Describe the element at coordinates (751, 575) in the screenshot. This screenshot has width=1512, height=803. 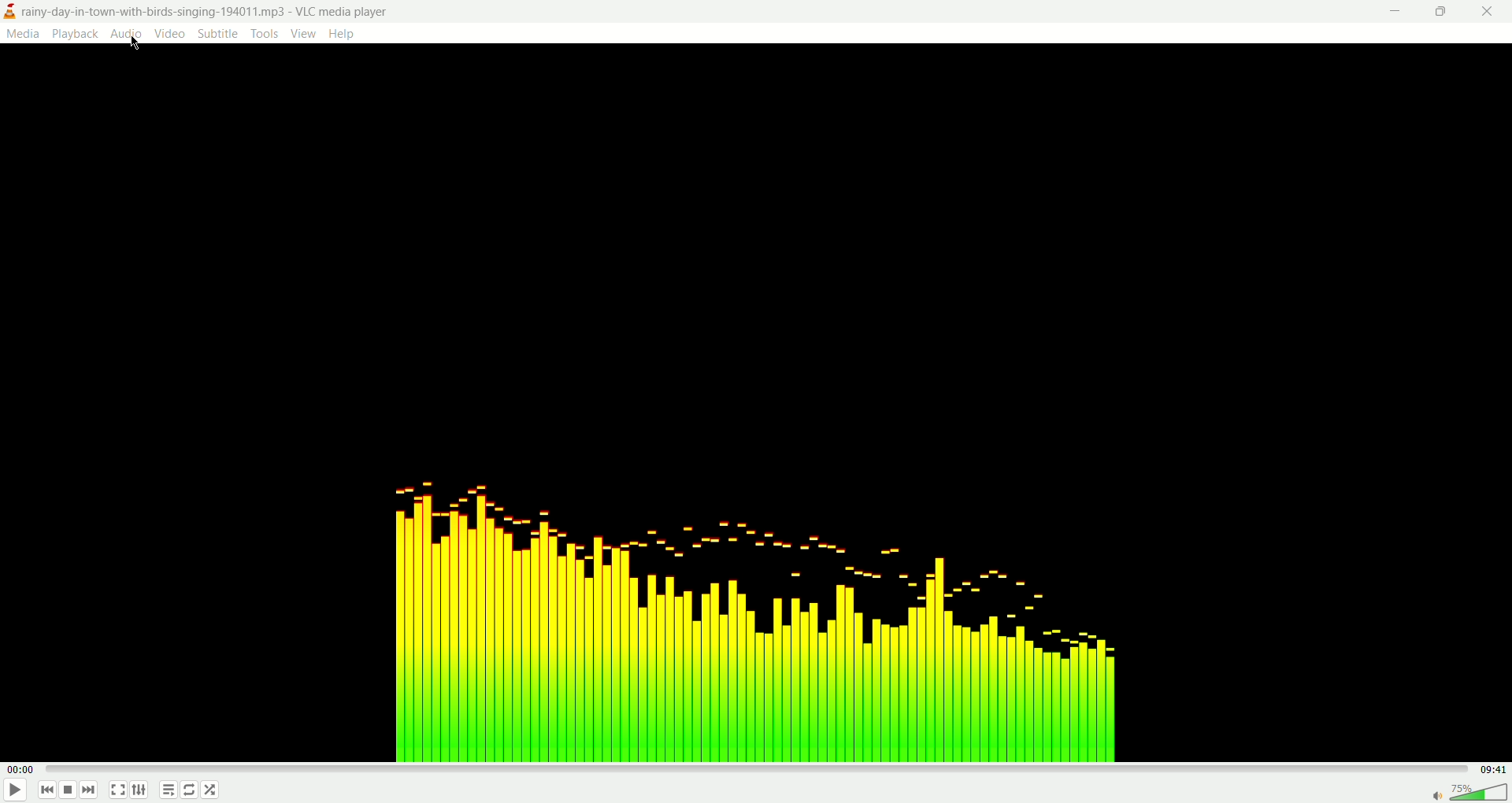
I see `audio tune image` at that location.